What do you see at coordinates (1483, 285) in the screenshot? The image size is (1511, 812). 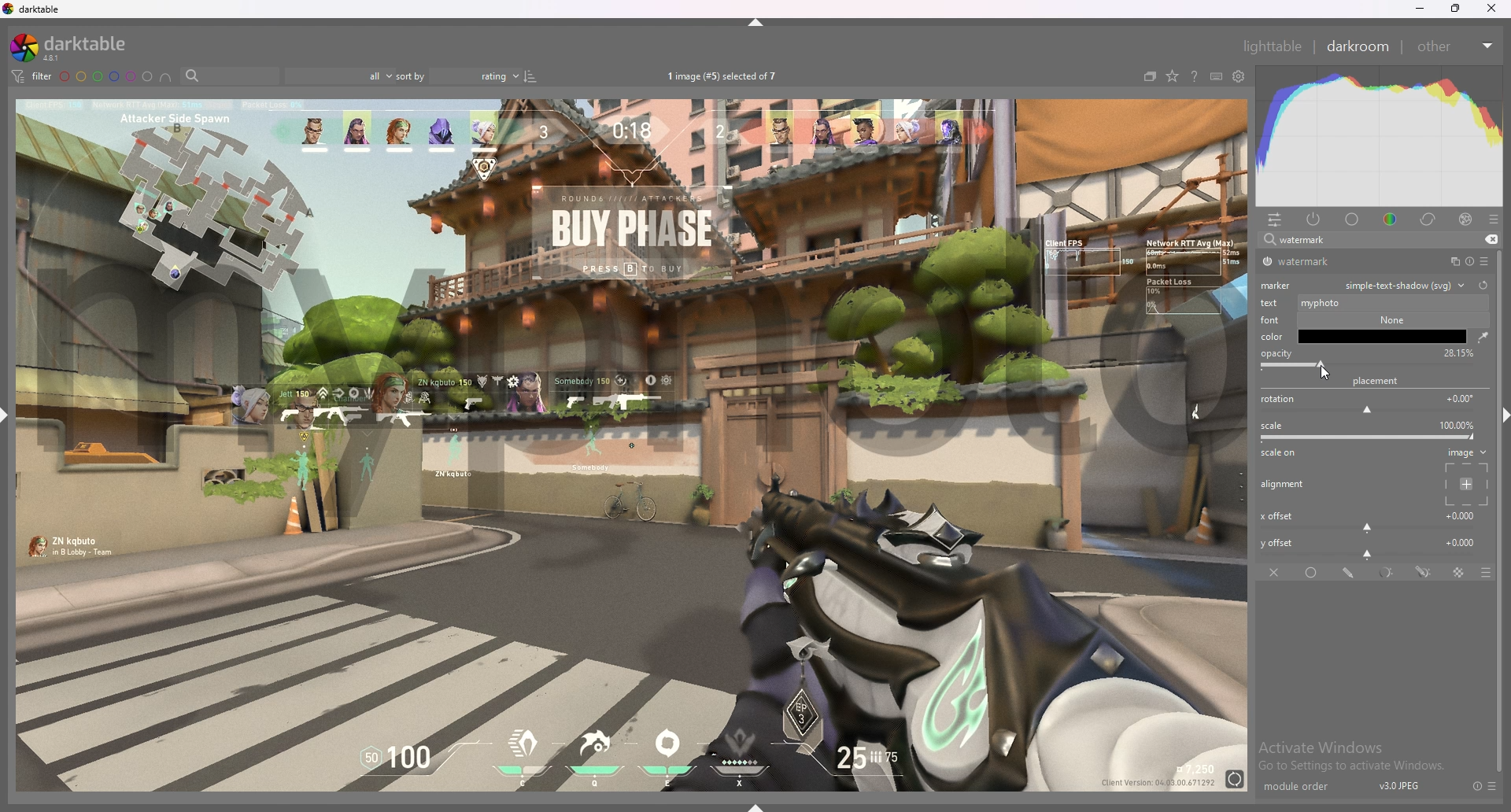 I see `refresh` at bounding box center [1483, 285].